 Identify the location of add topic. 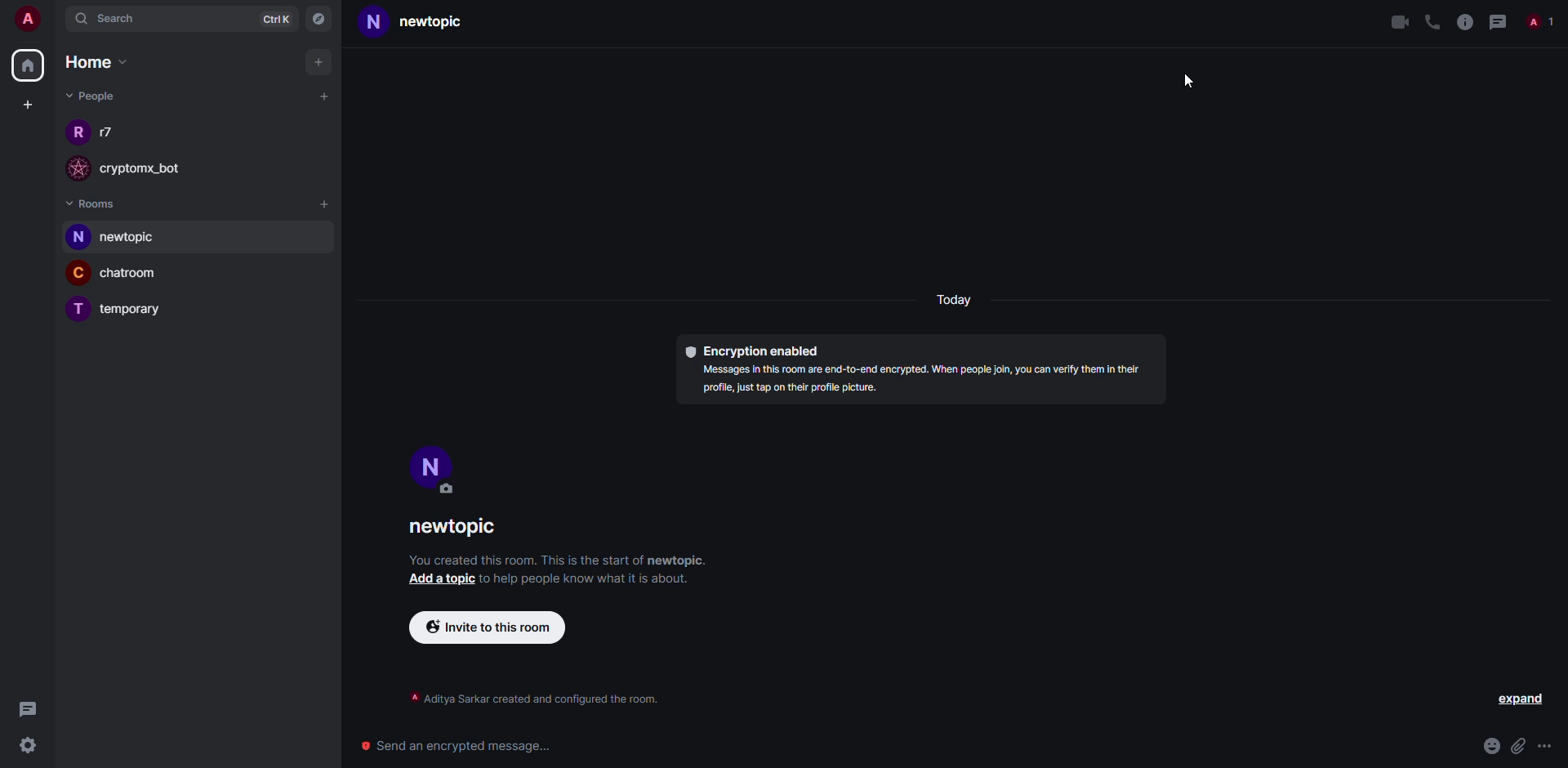
(440, 578).